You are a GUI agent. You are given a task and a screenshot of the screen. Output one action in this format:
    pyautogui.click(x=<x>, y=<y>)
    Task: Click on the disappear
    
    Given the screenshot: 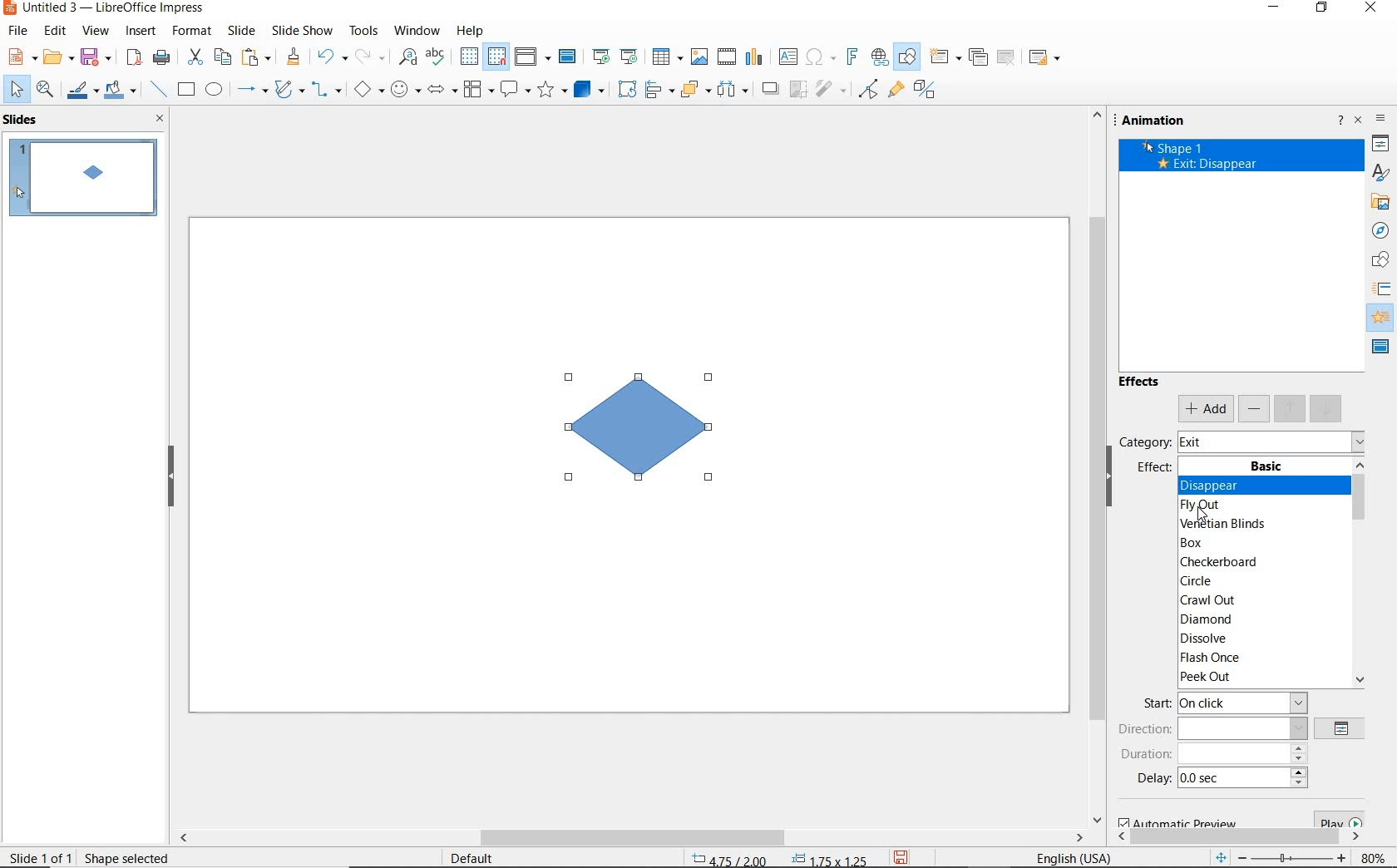 What is the action you would take?
    pyautogui.click(x=1256, y=484)
    